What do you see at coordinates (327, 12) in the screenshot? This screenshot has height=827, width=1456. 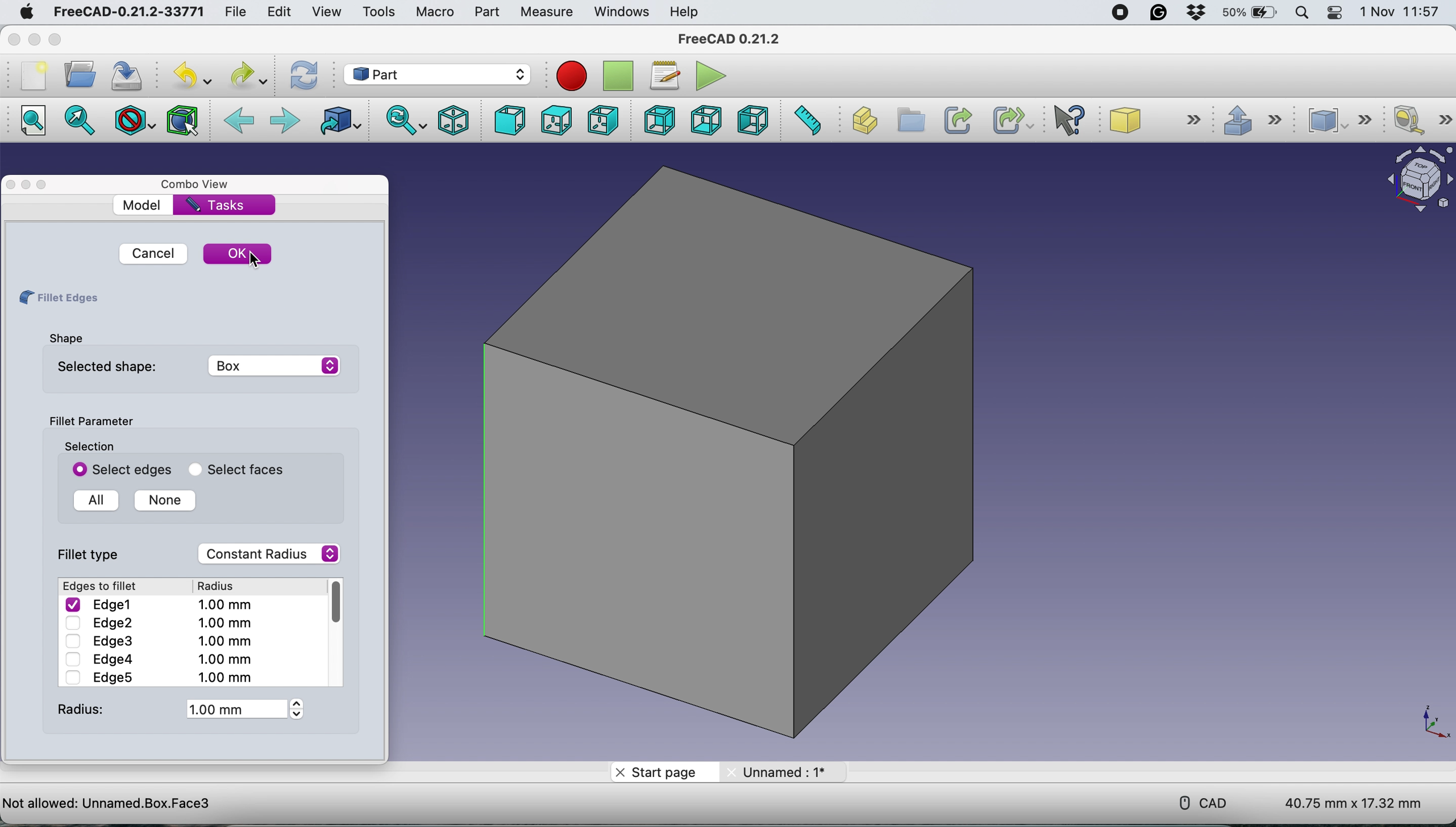 I see `view` at bounding box center [327, 12].